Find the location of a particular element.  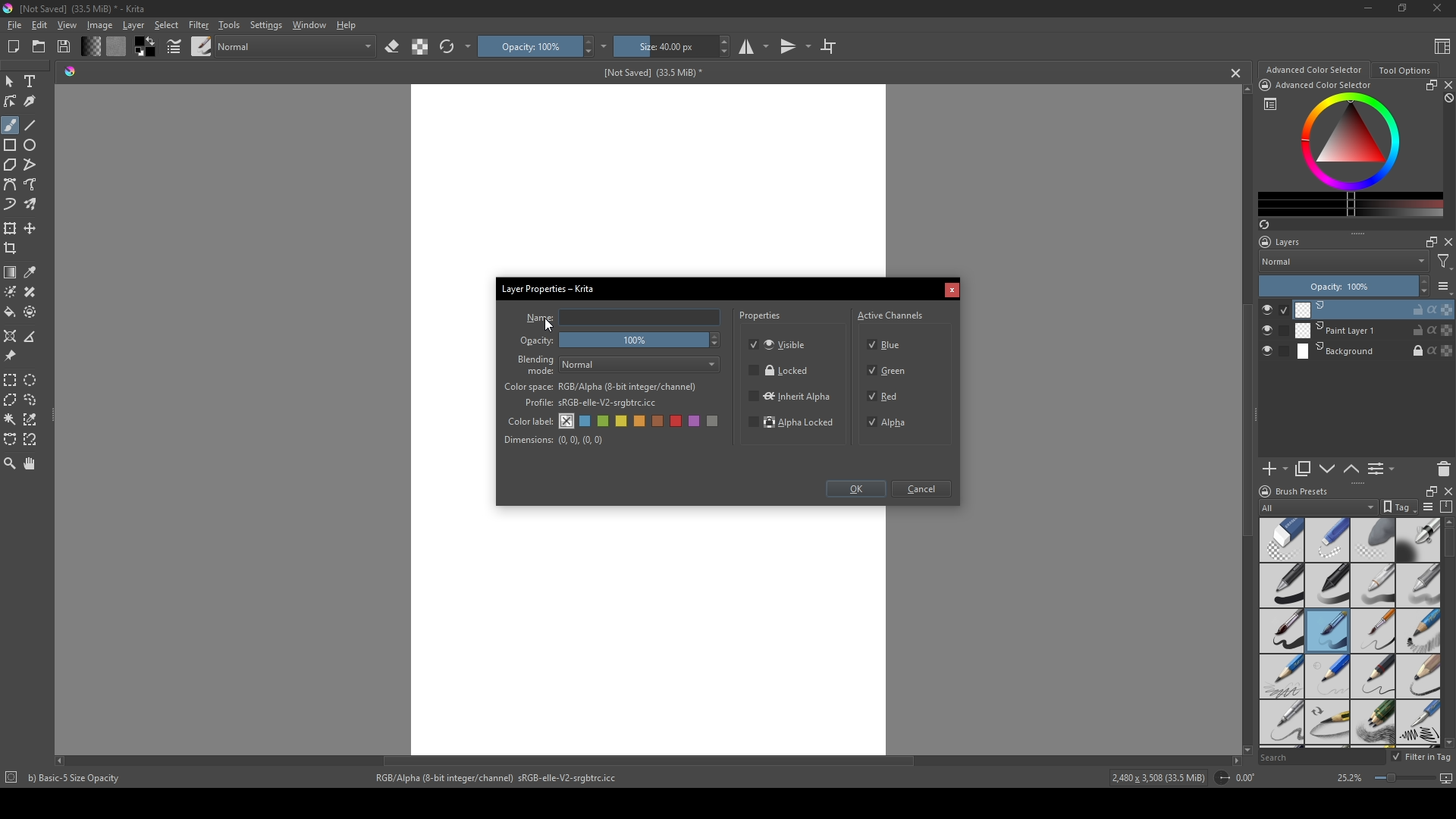

scroll bar is located at coordinates (1447, 544).